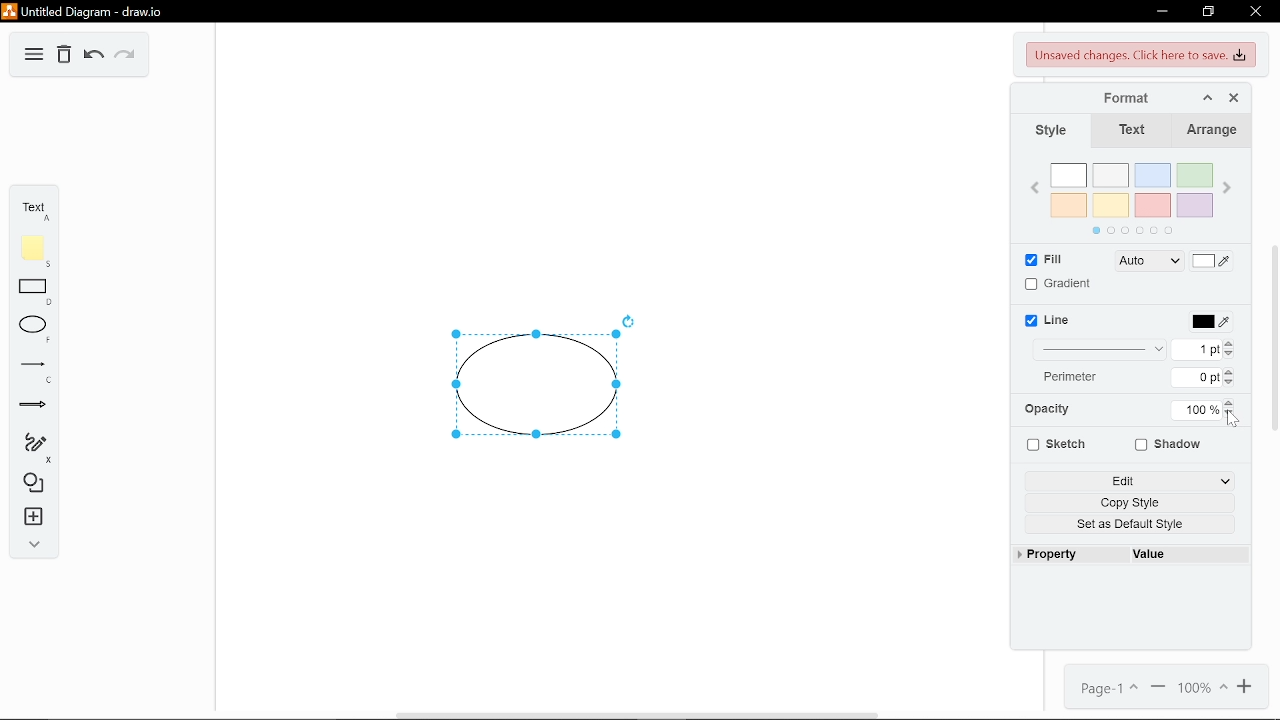  I want to click on Fill Color, so click(1211, 261).